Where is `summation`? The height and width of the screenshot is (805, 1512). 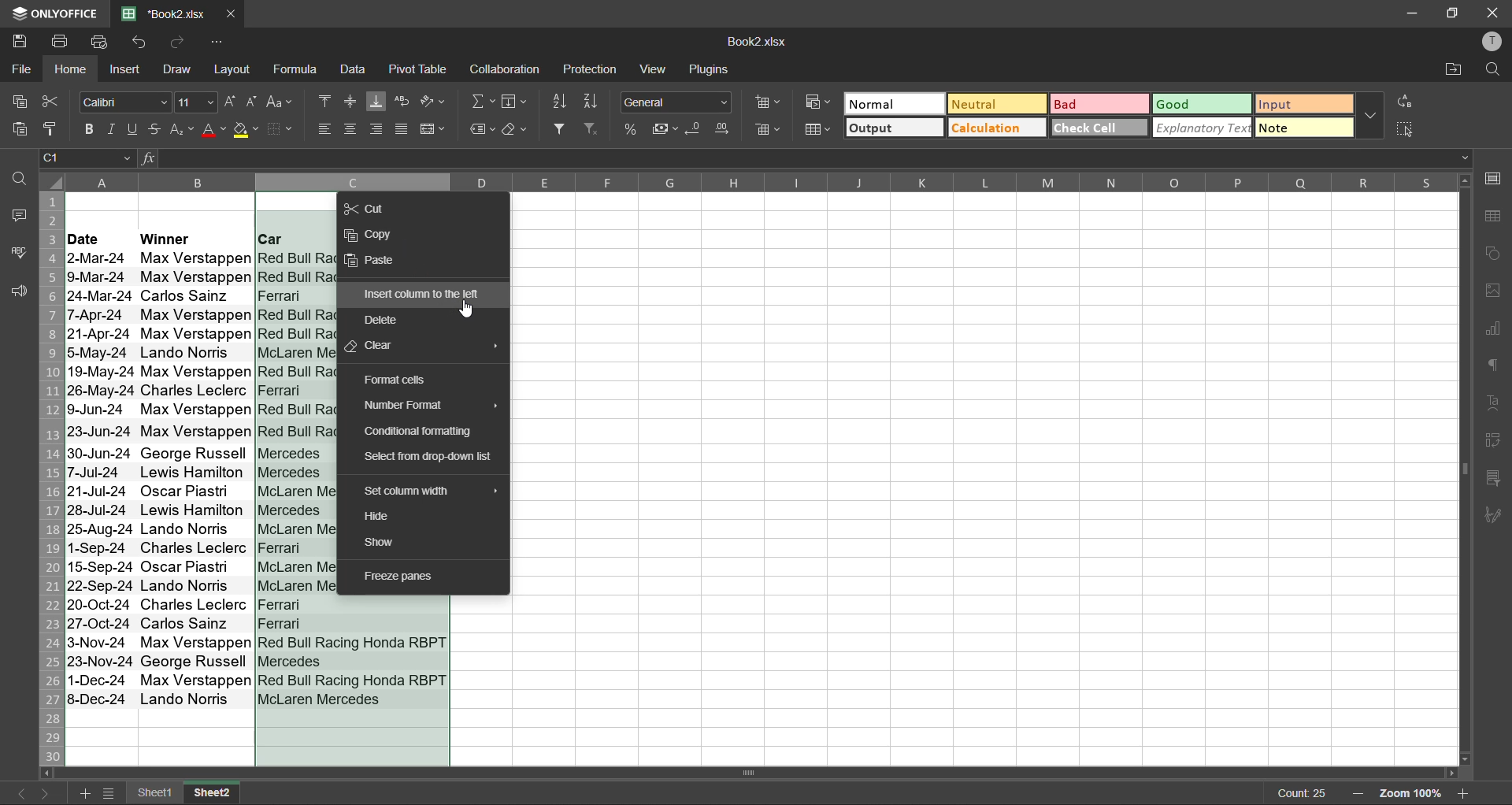 summation is located at coordinates (480, 103).